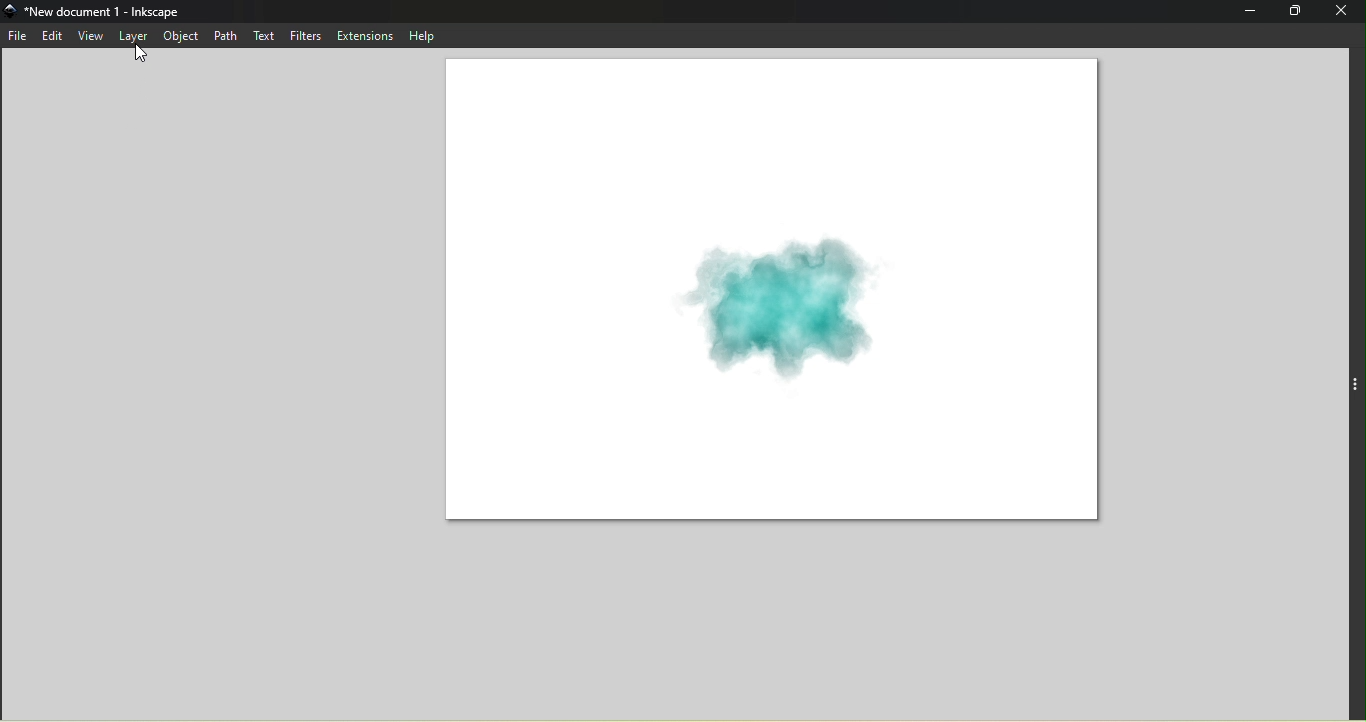  Describe the element at coordinates (1343, 12) in the screenshot. I see `Close` at that location.